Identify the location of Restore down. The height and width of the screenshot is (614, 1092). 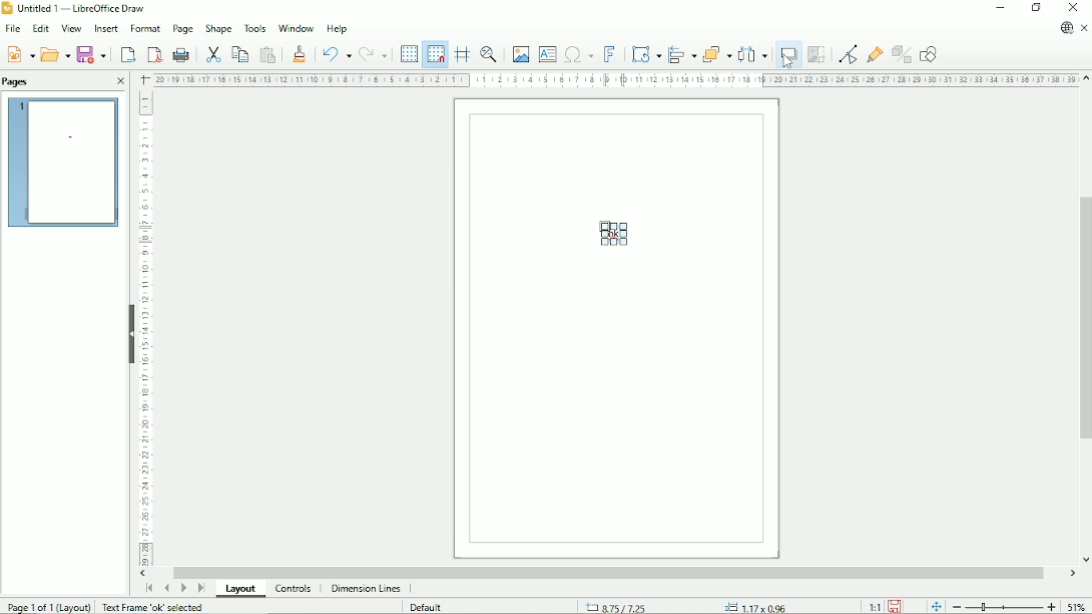
(1036, 7).